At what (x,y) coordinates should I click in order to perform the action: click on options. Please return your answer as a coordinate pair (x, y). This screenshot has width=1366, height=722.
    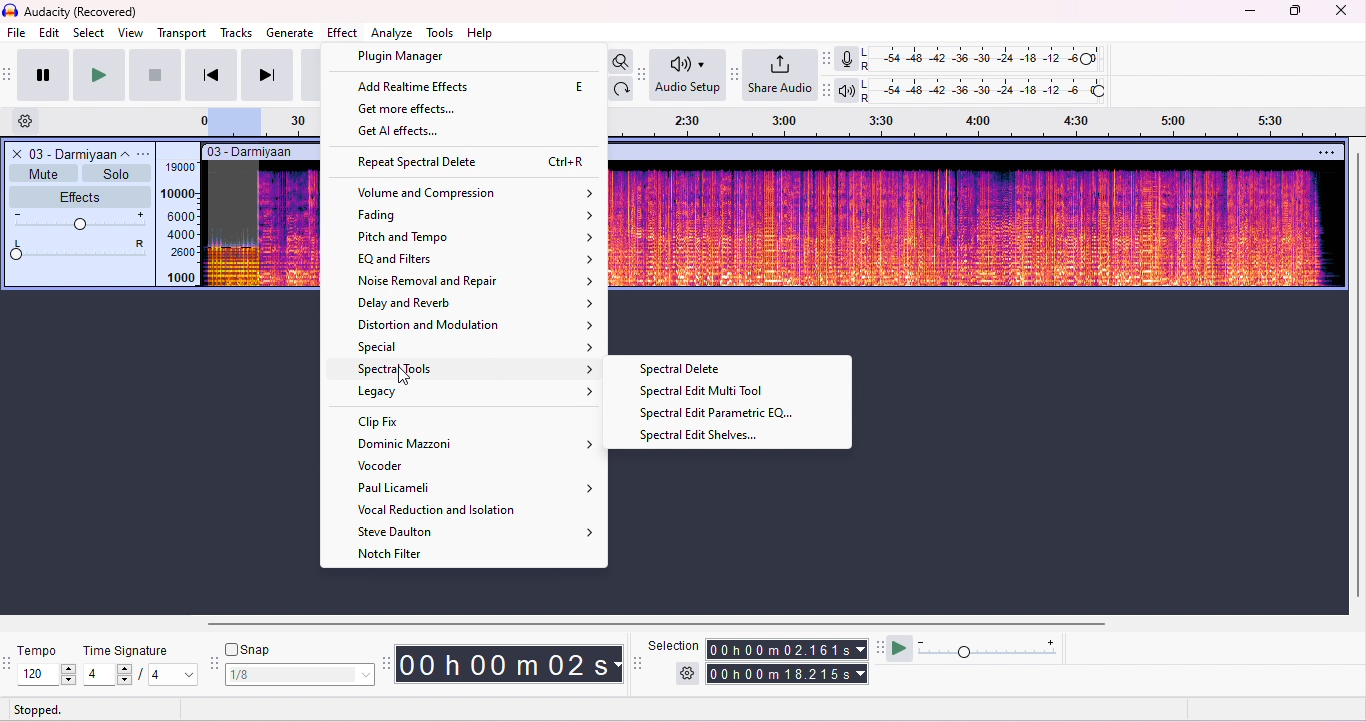
    Looking at the image, I should click on (145, 154).